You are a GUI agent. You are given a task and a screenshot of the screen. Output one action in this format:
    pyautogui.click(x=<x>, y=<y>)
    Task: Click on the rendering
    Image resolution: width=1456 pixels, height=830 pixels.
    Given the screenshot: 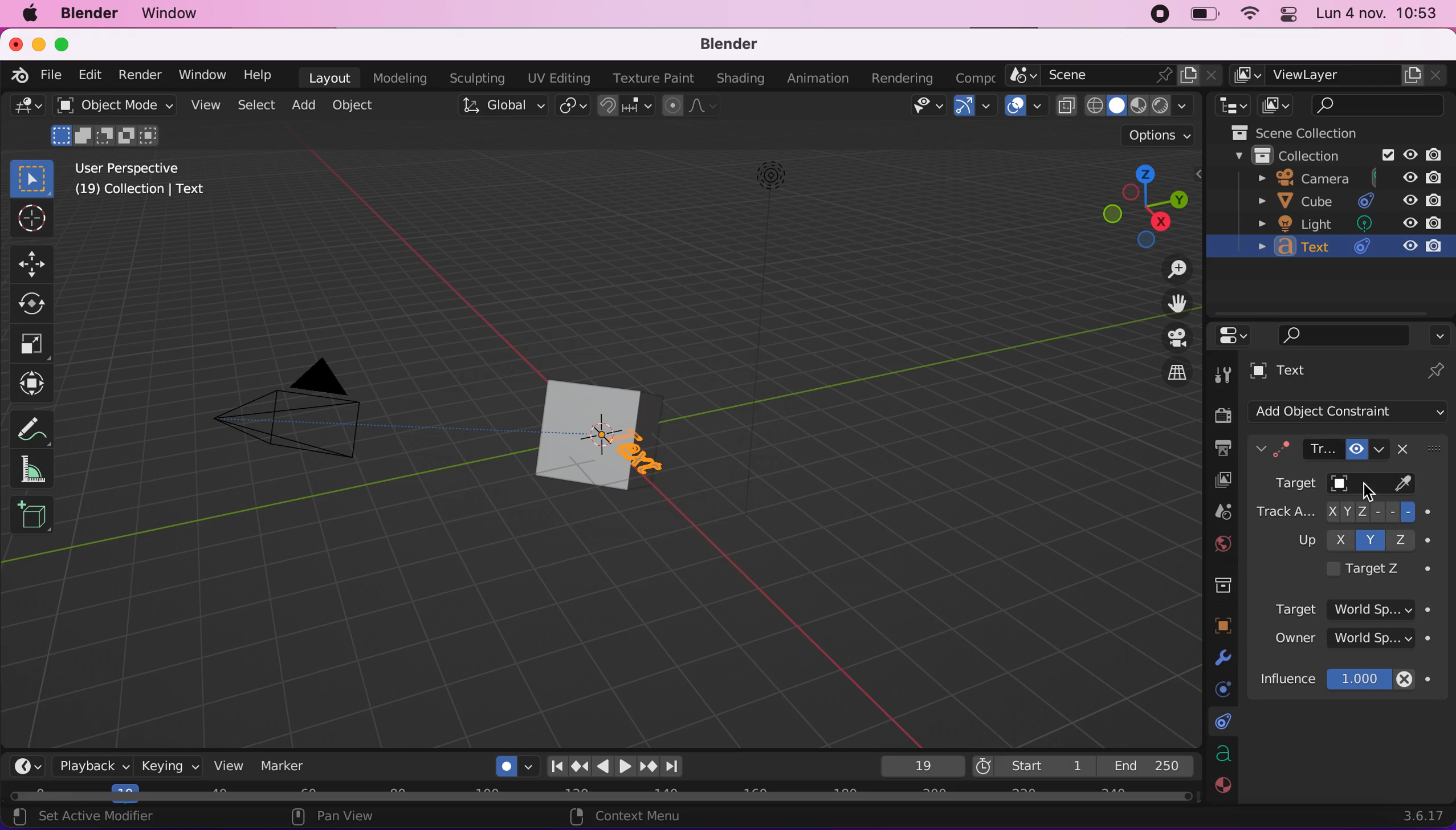 What is the action you would take?
    pyautogui.click(x=904, y=78)
    